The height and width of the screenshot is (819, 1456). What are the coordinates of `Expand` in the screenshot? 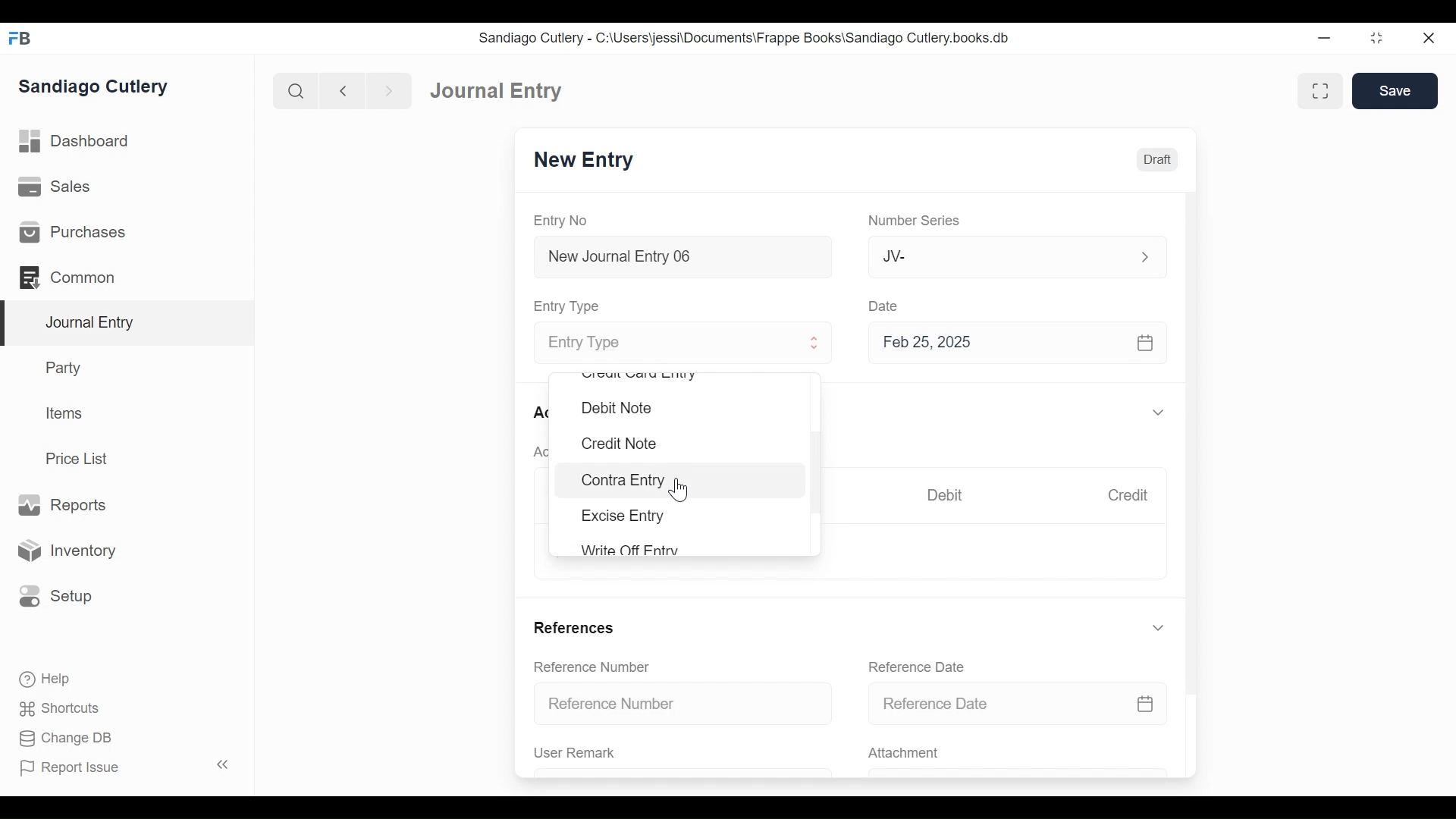 It's located at (1161, 413).